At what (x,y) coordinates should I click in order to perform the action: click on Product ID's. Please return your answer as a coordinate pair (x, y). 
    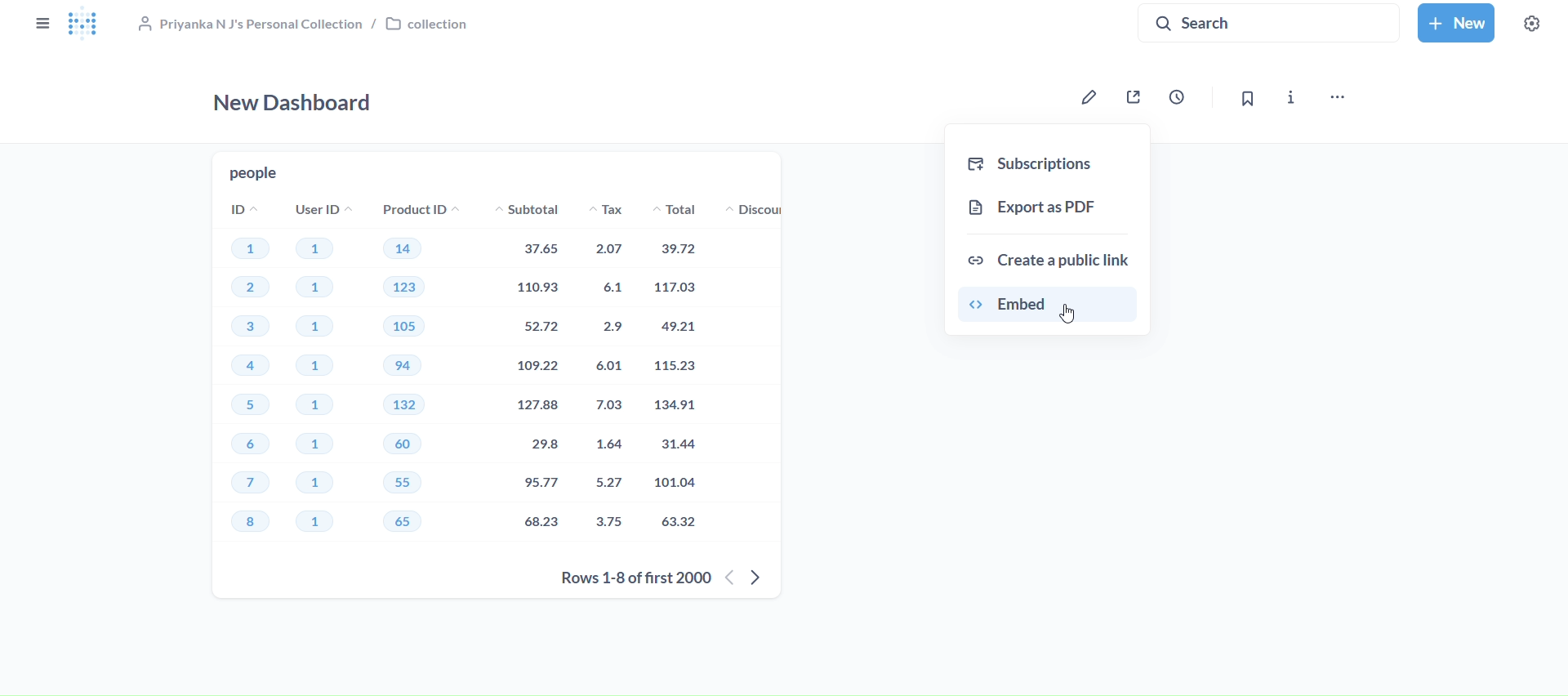
    Looking at the image, I should click on (416, 373).